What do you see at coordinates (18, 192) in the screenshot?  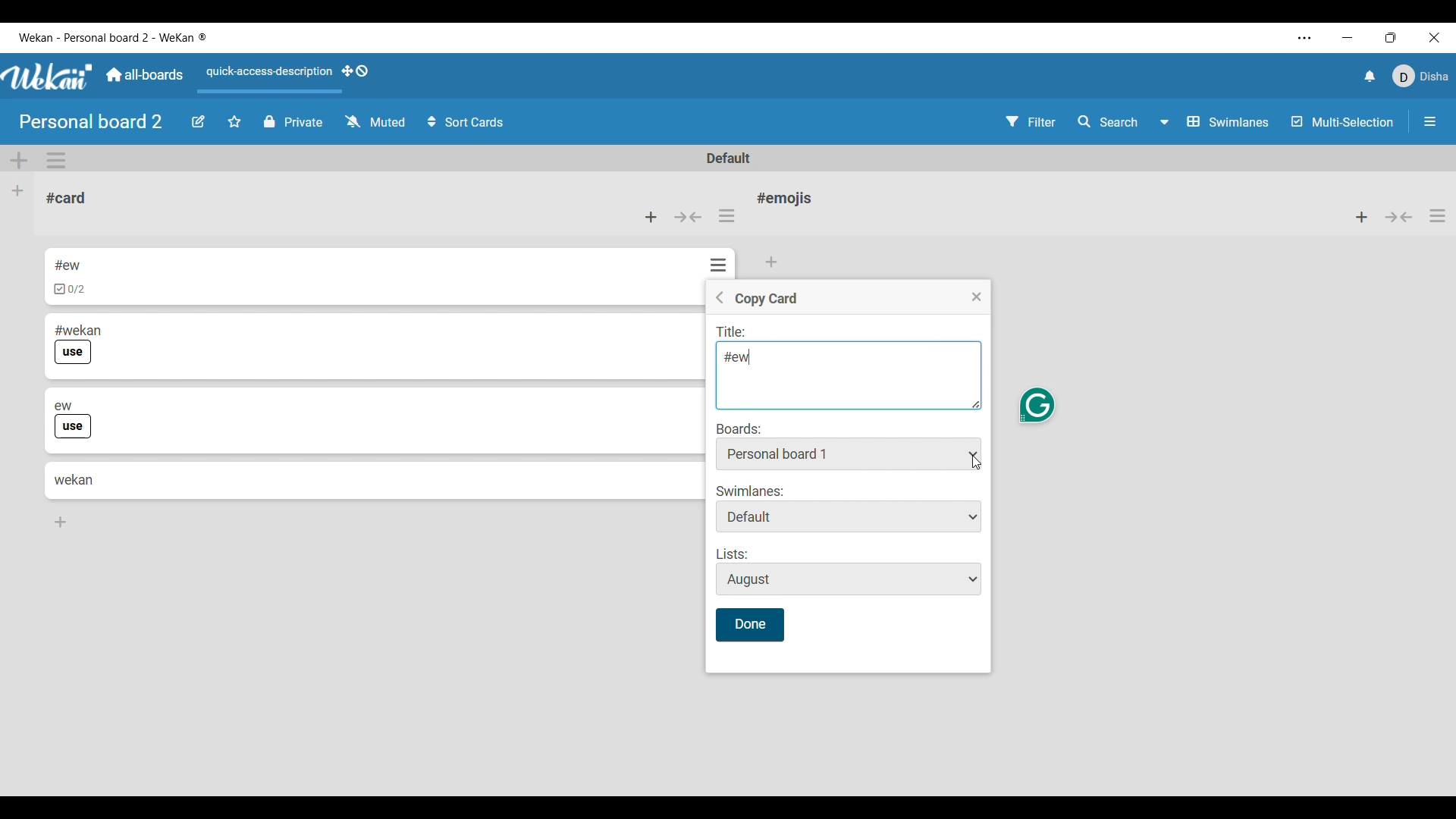 I see `Add list ` at bounding box center [18, 192].